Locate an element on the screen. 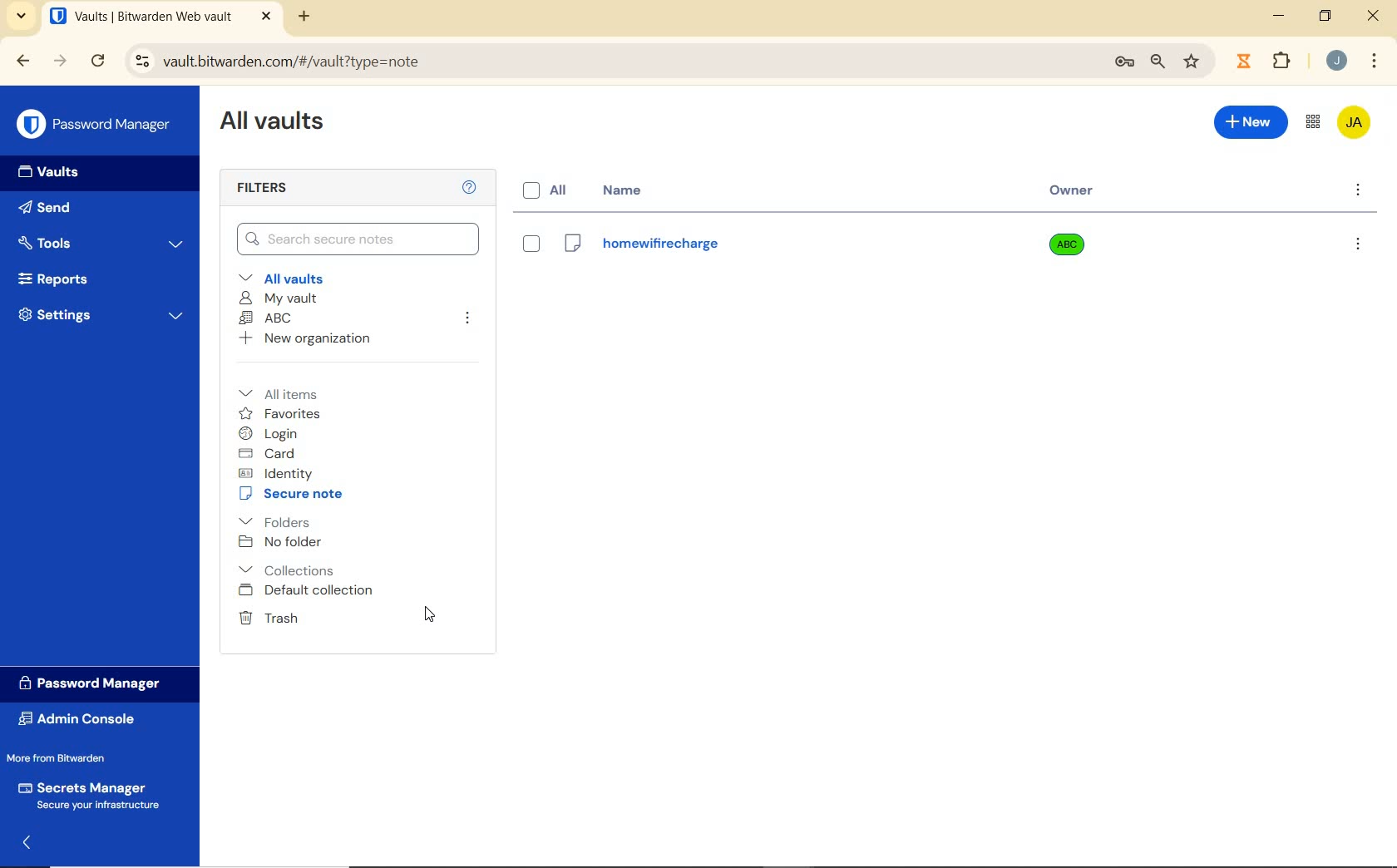 The width and height of the screenshot is (1397, 868). reload is located at coordinates (97, 62).